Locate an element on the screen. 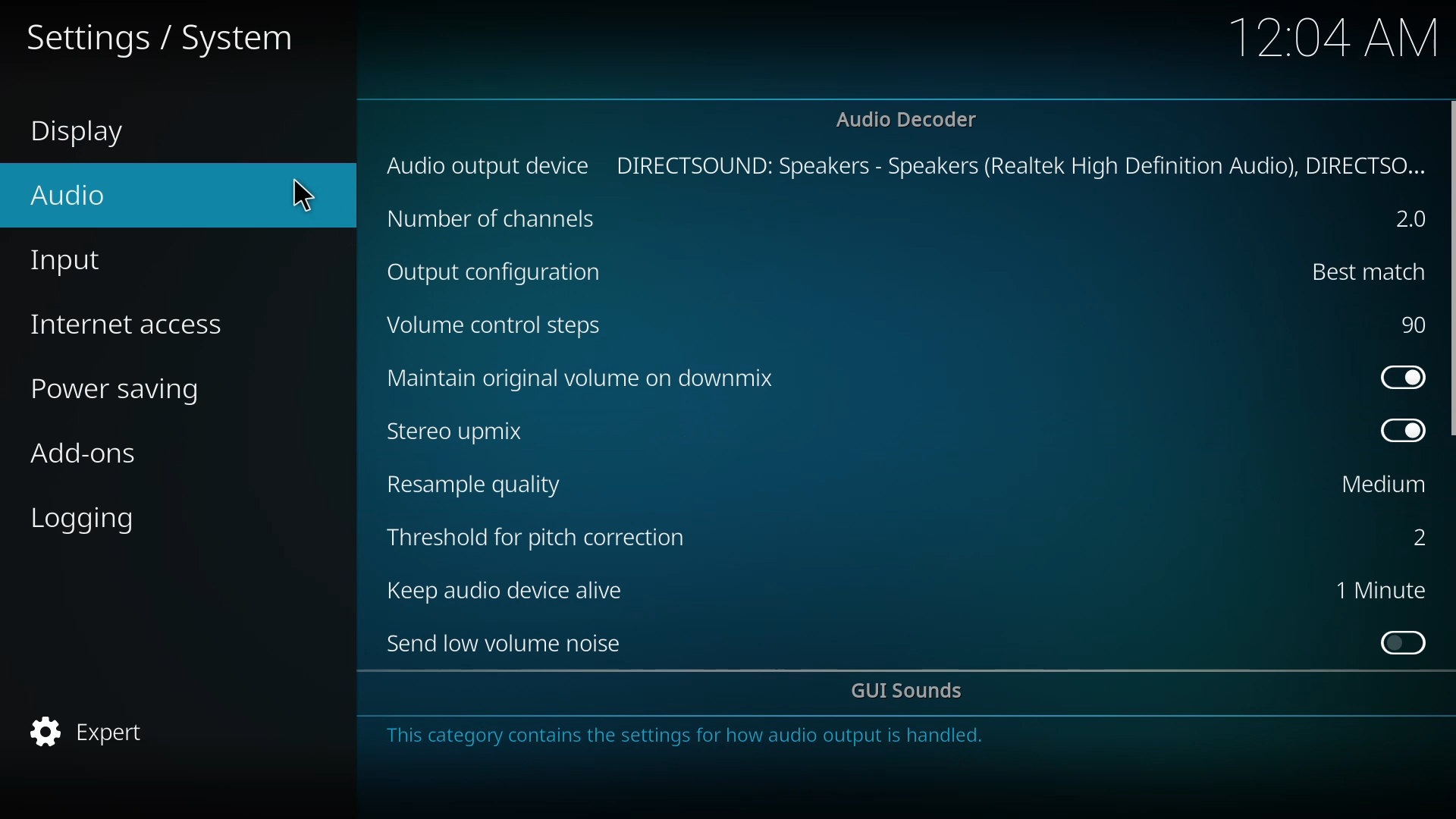  disabled is located at coordinates (1404, 639).